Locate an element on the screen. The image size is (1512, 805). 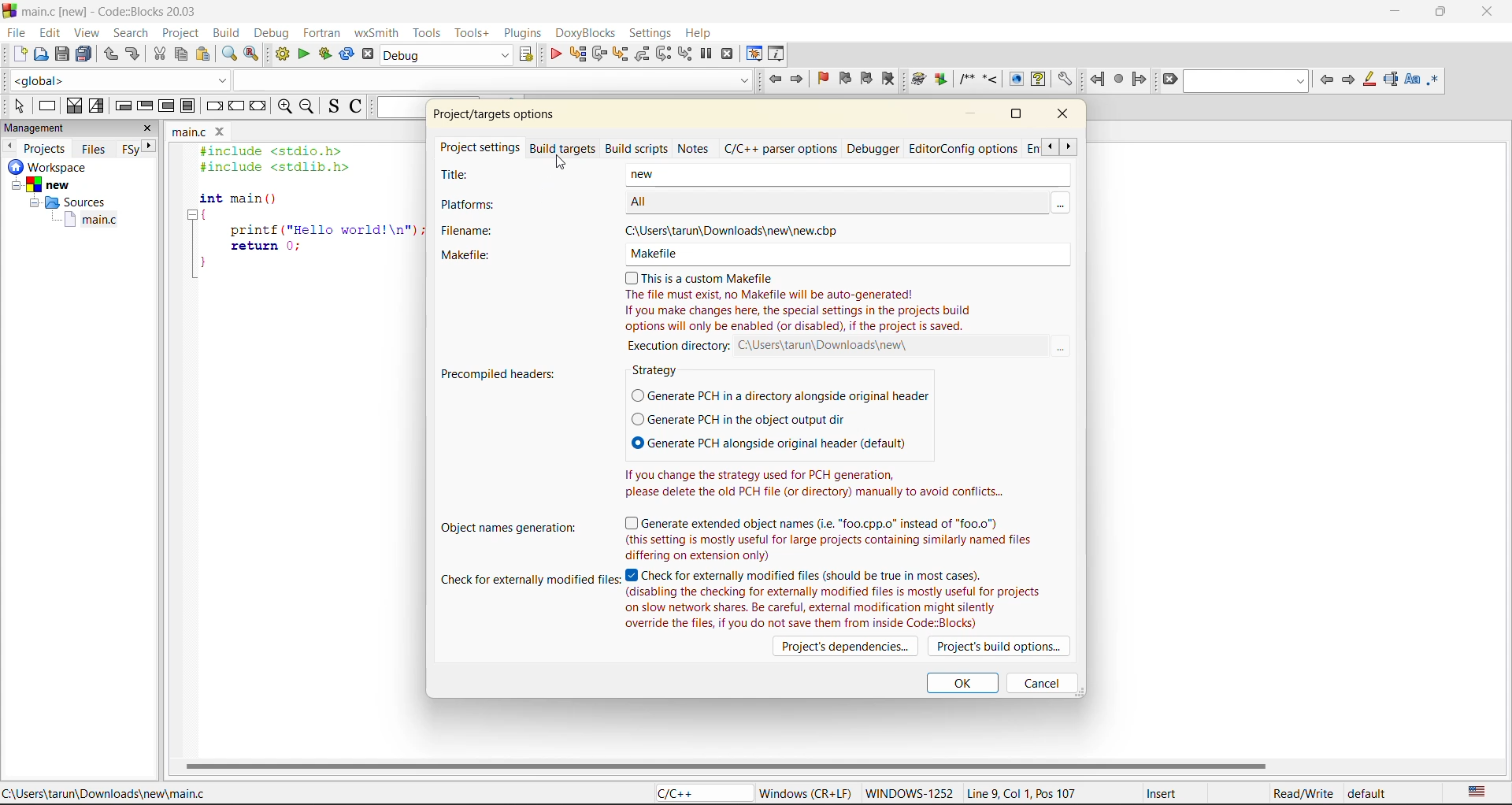
C:\Users\tarun\Downloads\new\new.cbp is located at coordinates (739, 230).